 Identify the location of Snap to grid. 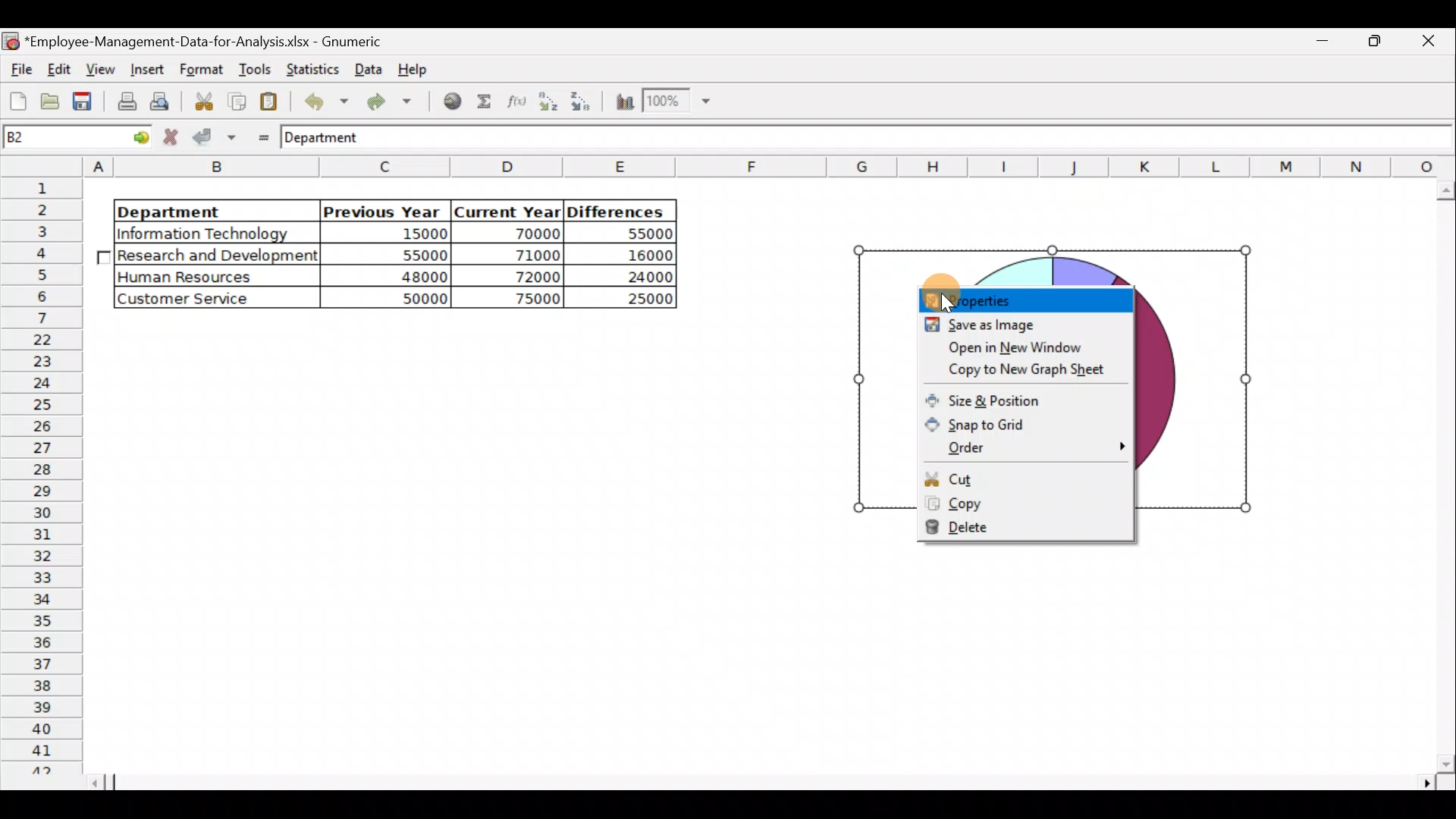
(987, 422).